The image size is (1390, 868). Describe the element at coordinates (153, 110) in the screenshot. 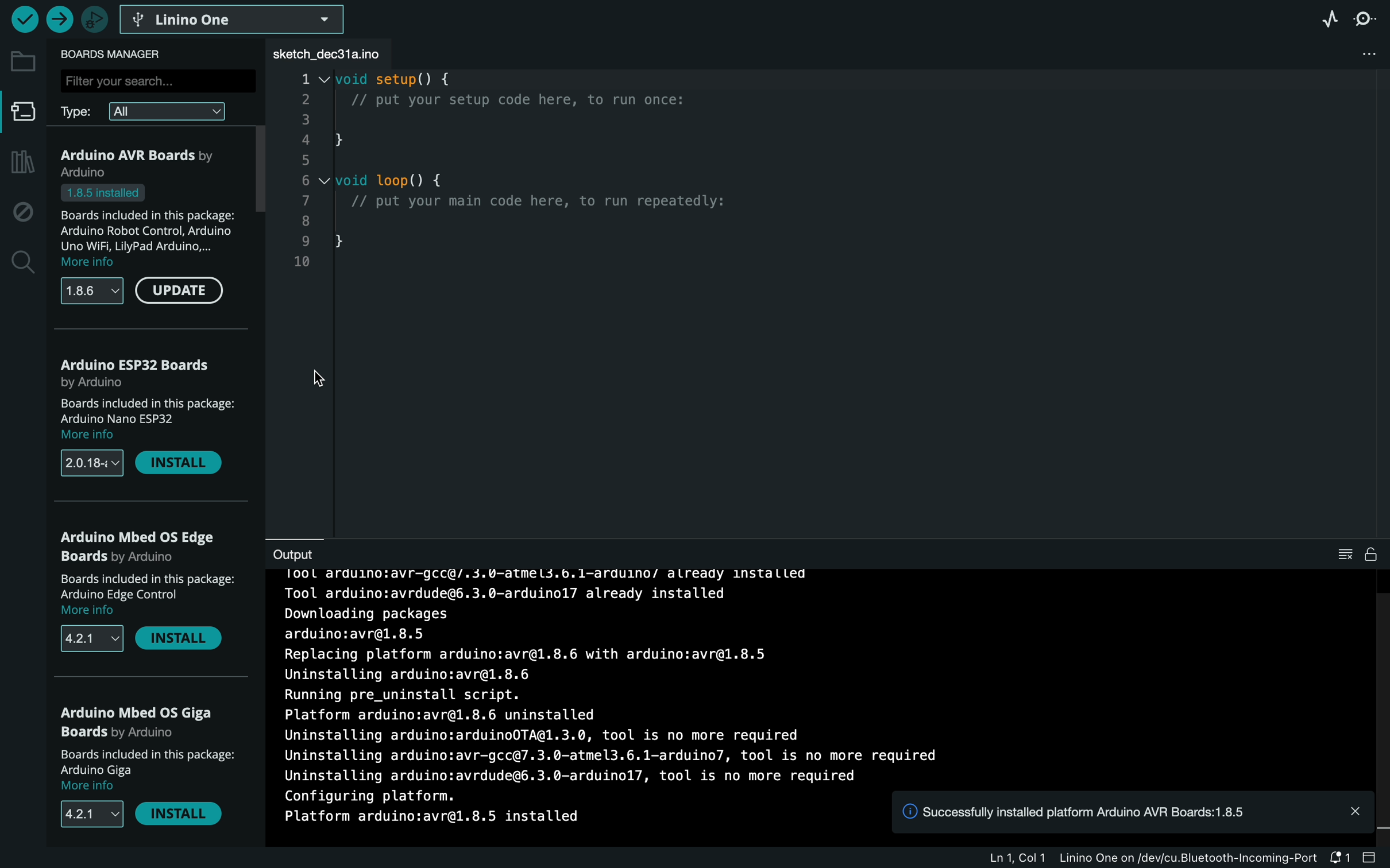

I see `type filter` at that location.